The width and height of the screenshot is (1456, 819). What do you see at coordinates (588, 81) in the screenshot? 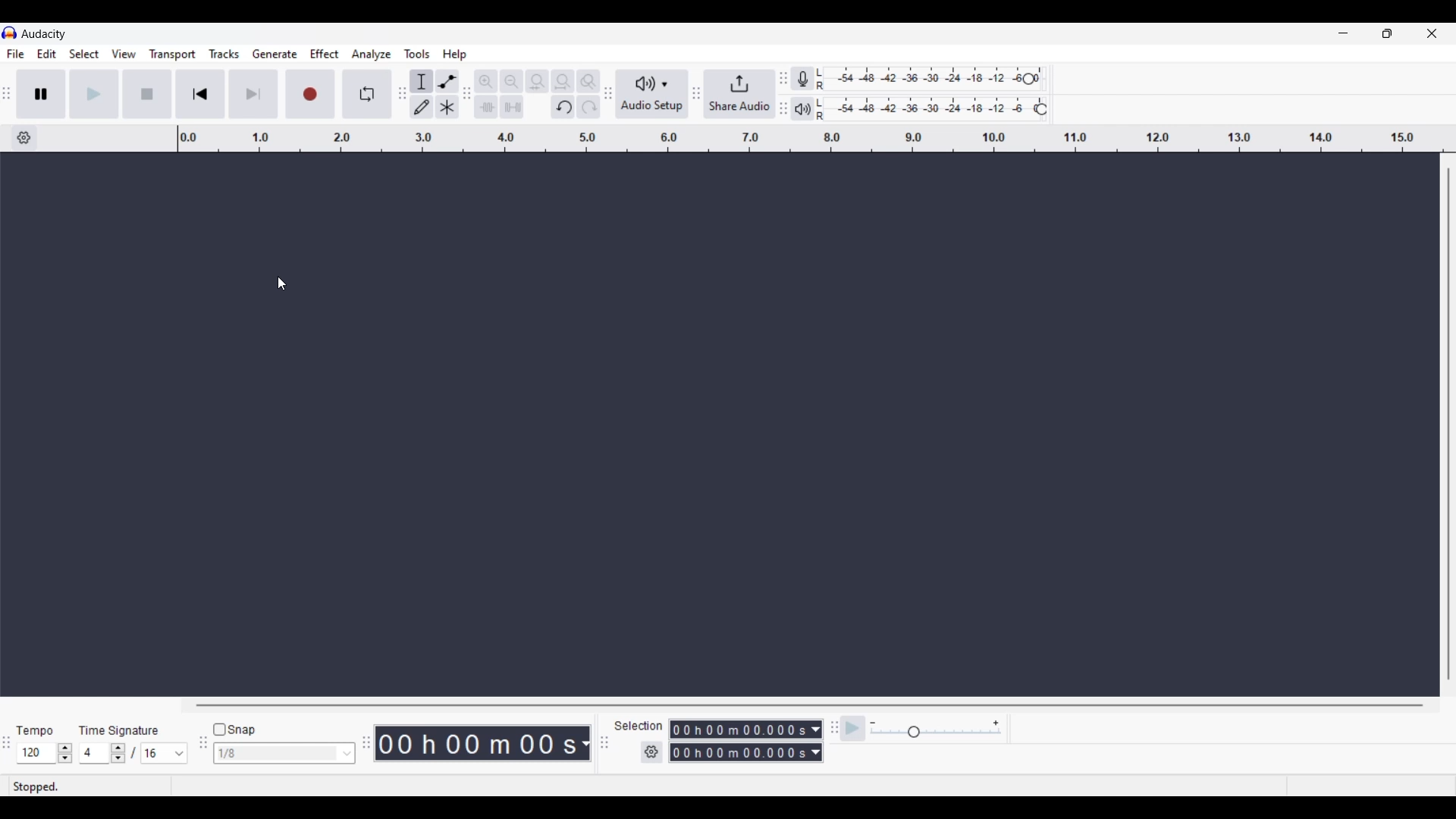
I see `Zoom toggle` at bounding box center [588, 81].